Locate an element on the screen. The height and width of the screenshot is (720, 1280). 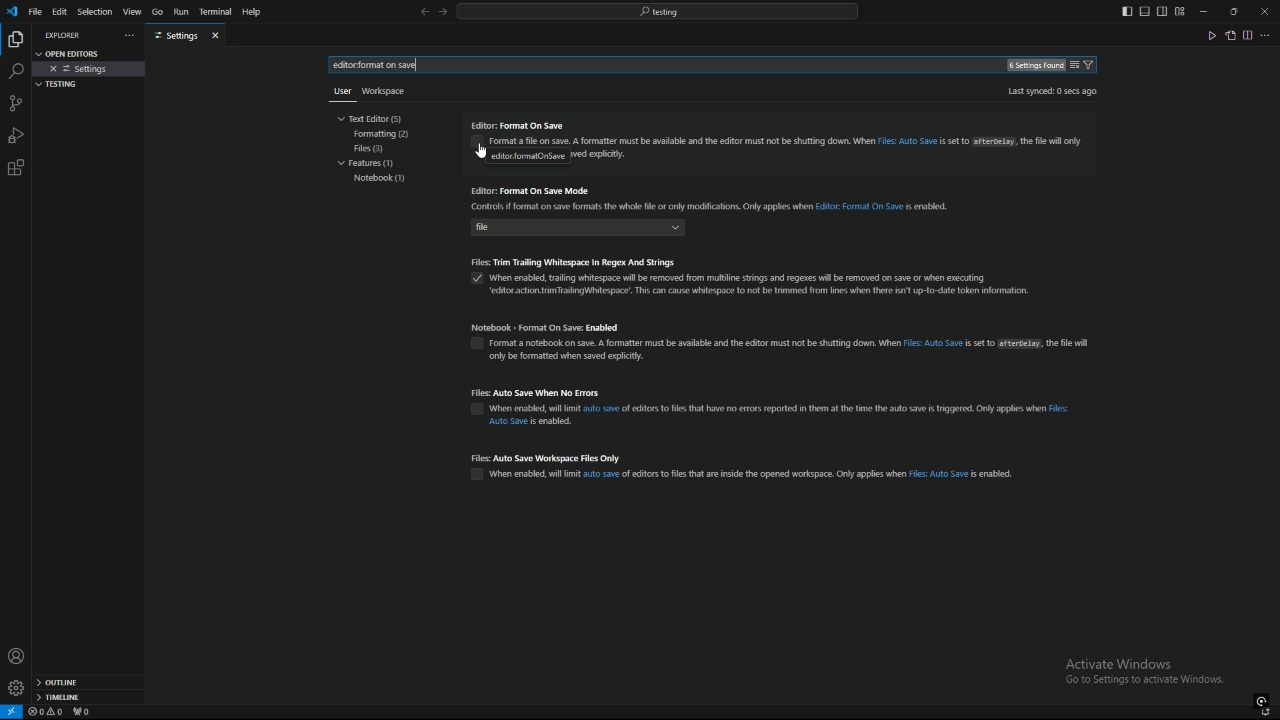
files auto save workspace files only is located at coordinates (751, 467).